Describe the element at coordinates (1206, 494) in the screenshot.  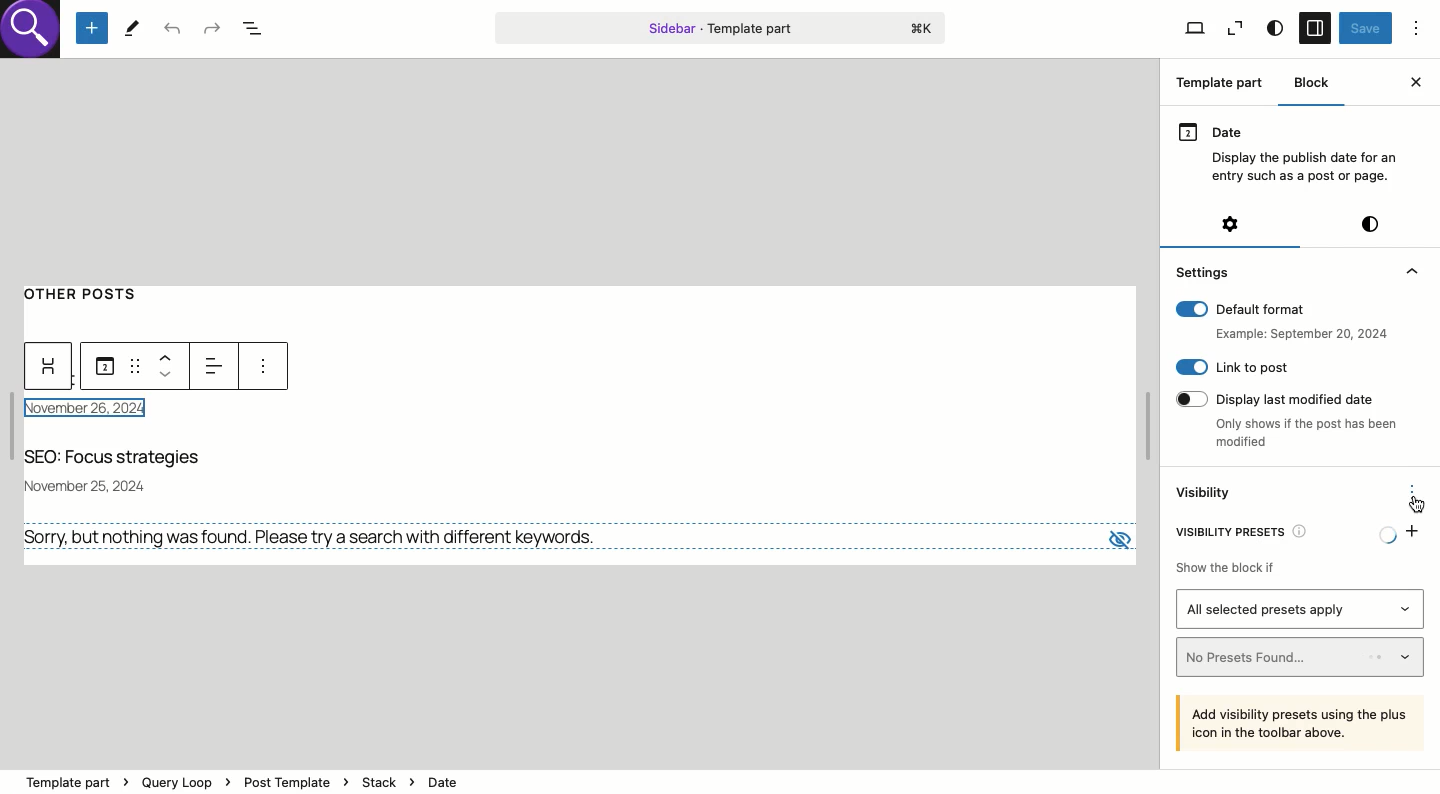
I see `Visibility ` at that location.